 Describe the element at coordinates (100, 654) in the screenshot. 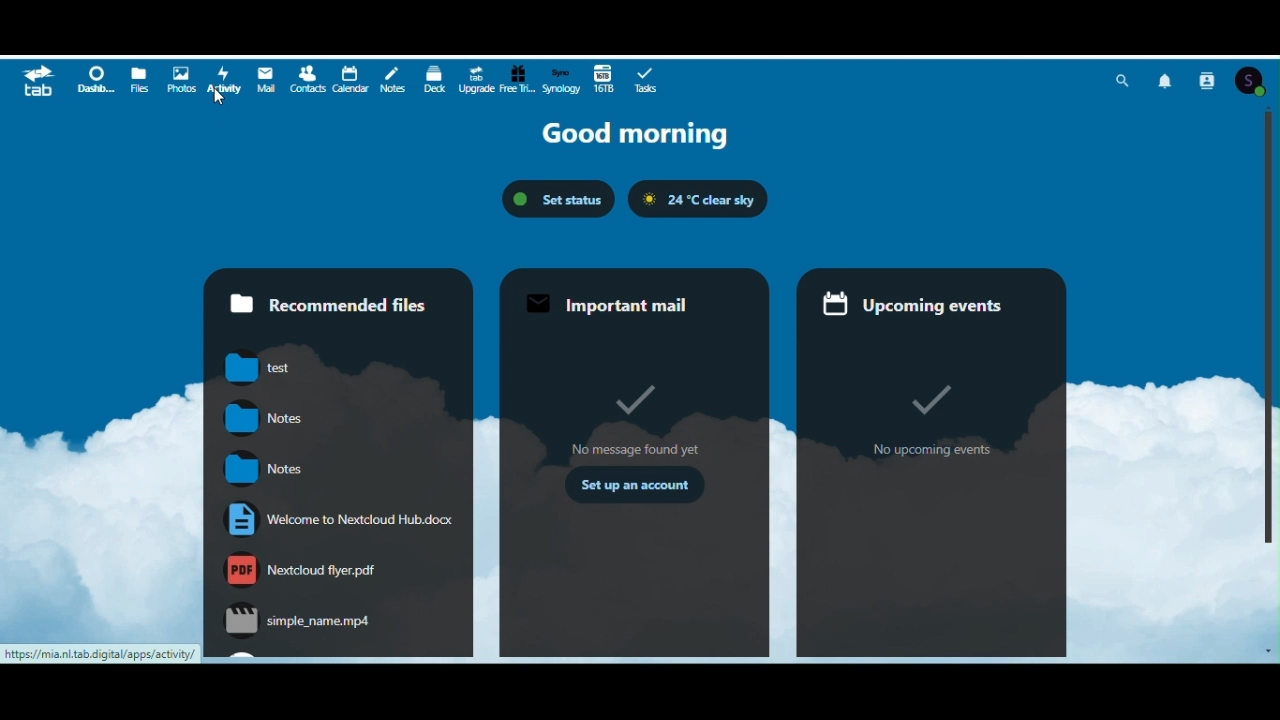

I see `https://mia.nl.tab.digital/apps/activity/` at that location.